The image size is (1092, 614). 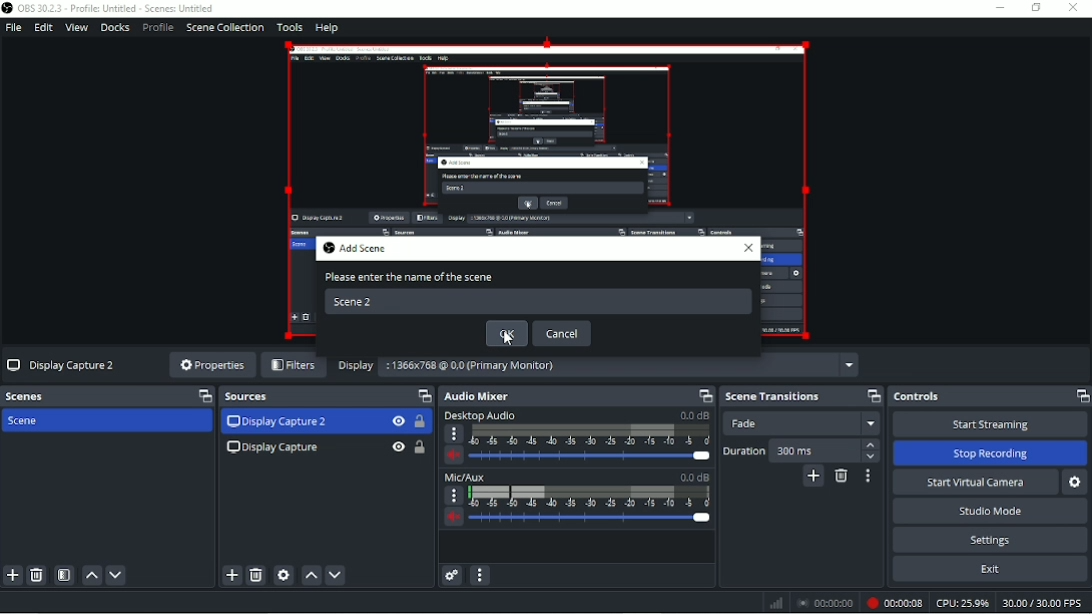 I want to click on Open source properties, so click(x=283, y=575).